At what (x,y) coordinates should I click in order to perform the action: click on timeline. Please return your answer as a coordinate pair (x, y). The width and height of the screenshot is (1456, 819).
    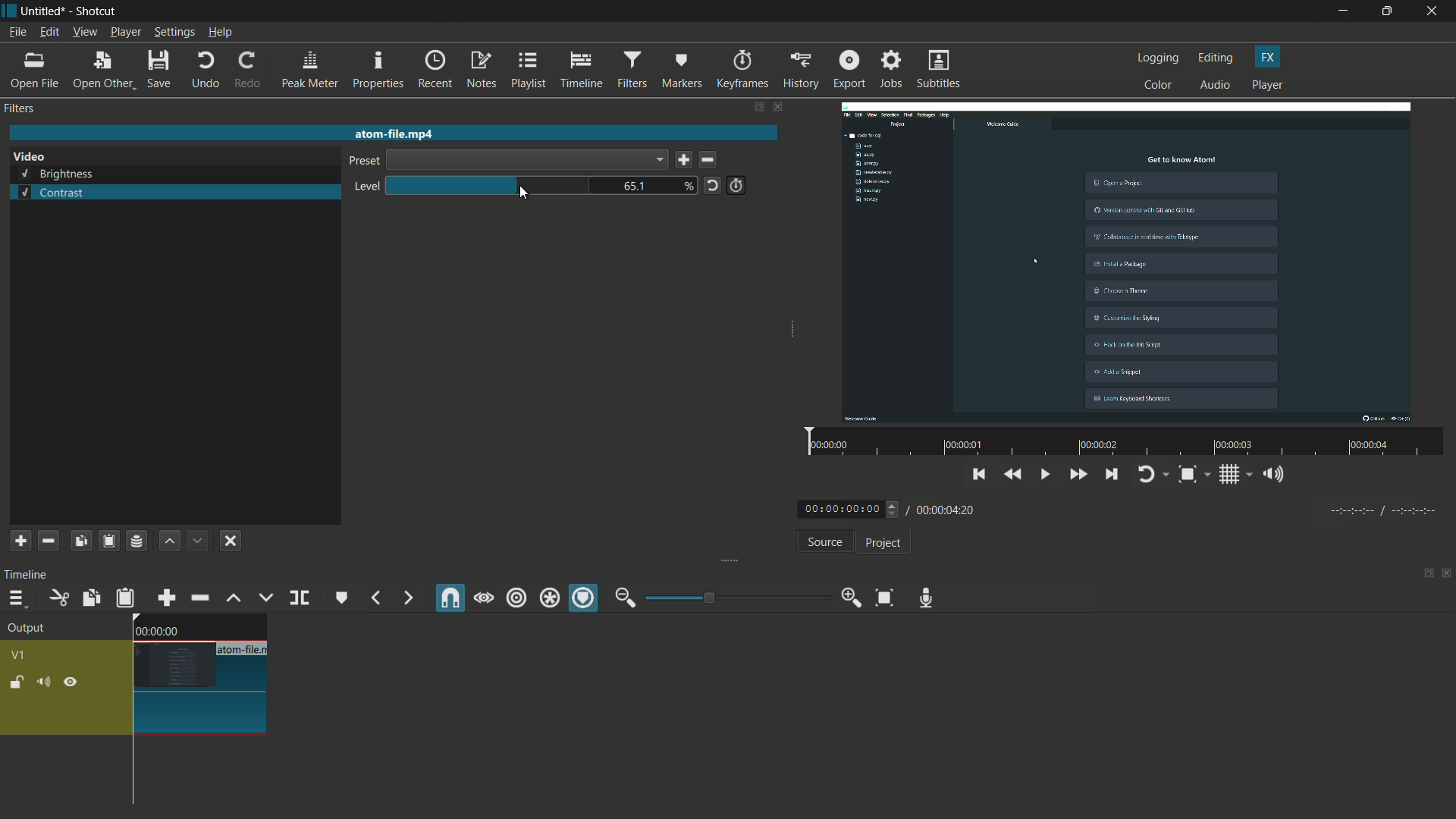
    Looking at the image, I should click on (582, 71).